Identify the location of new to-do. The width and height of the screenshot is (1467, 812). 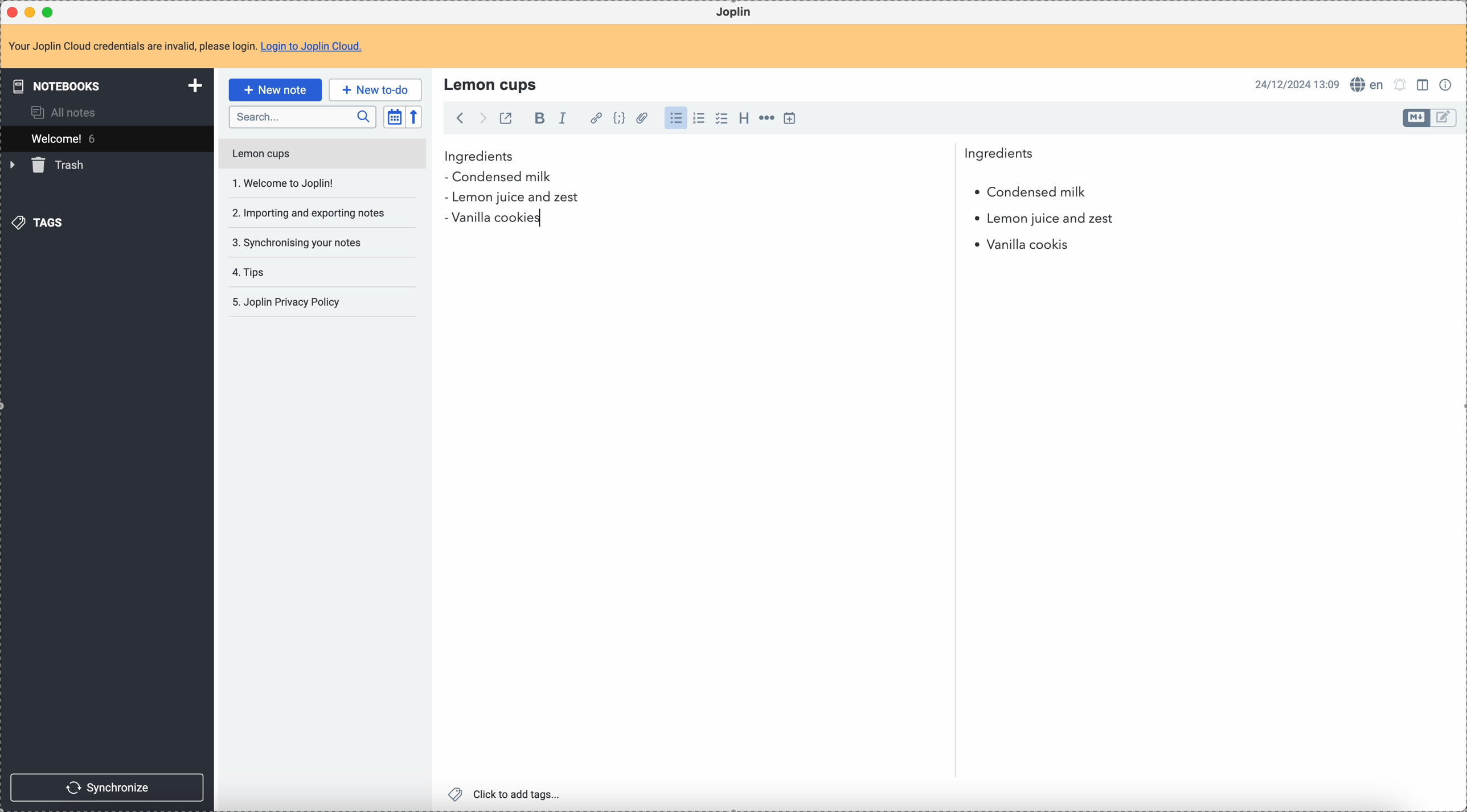
(375, 89).